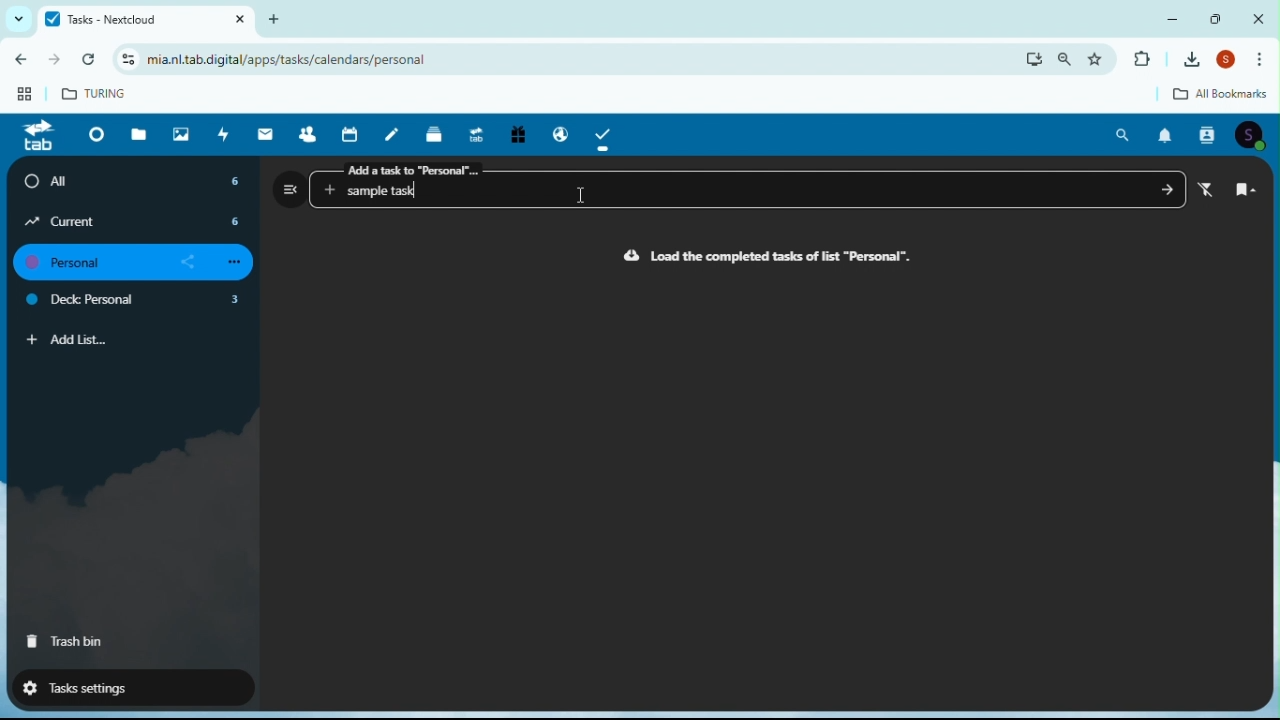  Describe the element at coordinates (66, 642) in the screenshot. I see `trashbin` at that location.